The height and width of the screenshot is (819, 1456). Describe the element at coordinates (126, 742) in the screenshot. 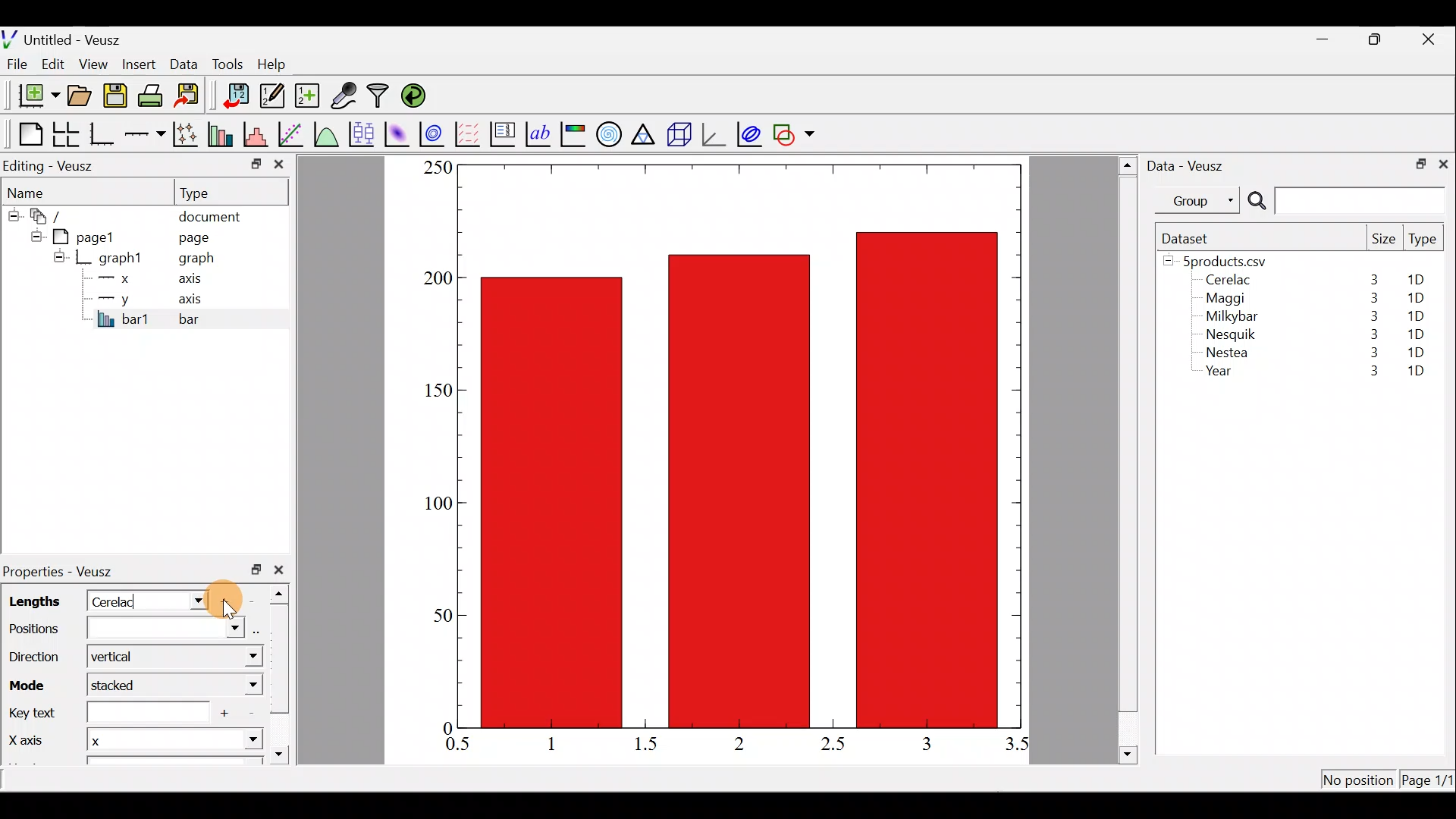

I see `x` at that location.